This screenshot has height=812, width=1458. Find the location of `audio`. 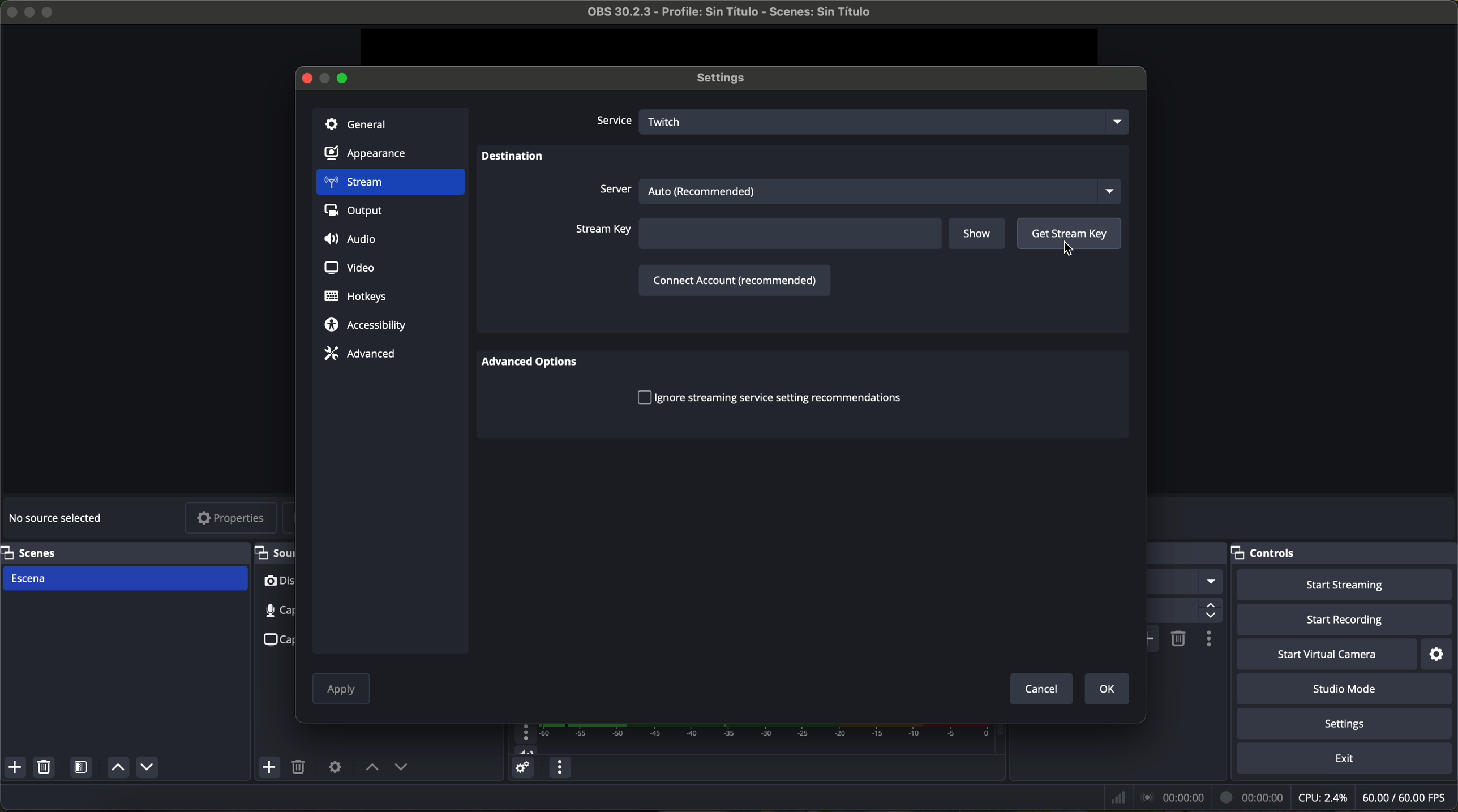

audio is located at coordinates (353, 240).